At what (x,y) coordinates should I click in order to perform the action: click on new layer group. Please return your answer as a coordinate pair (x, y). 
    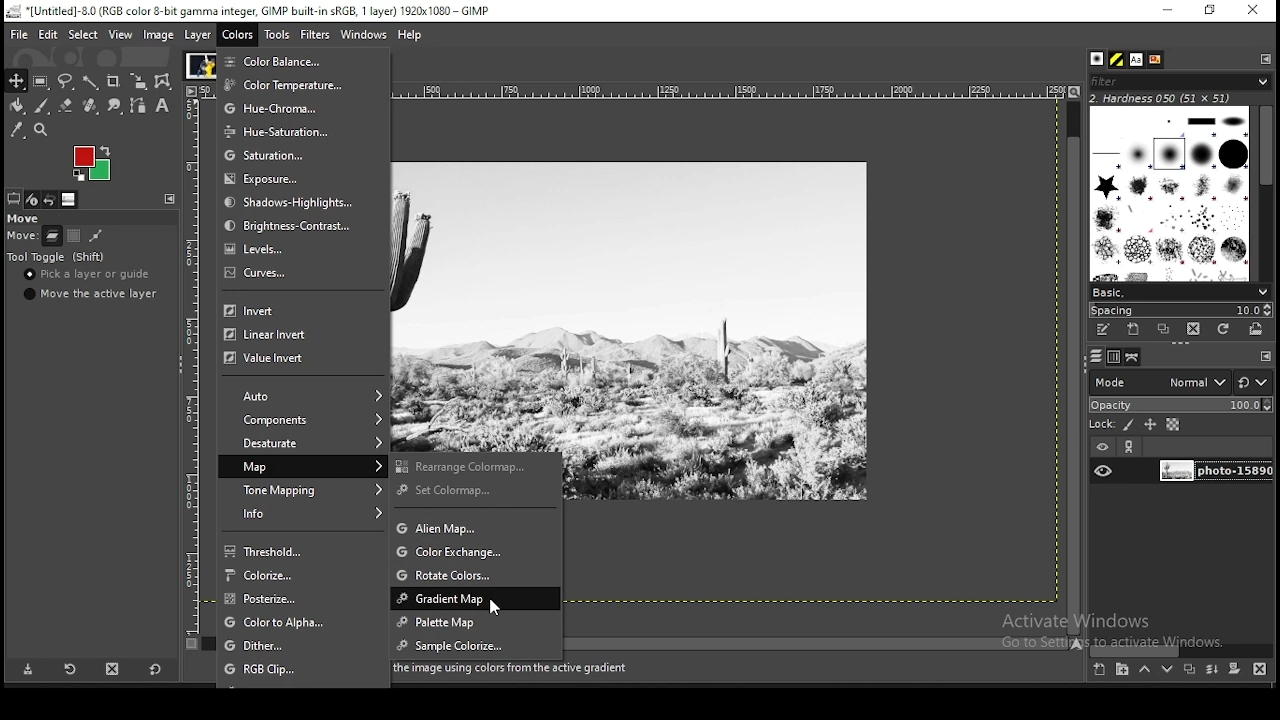
    Looking at the image, I should click on (1121, 670).